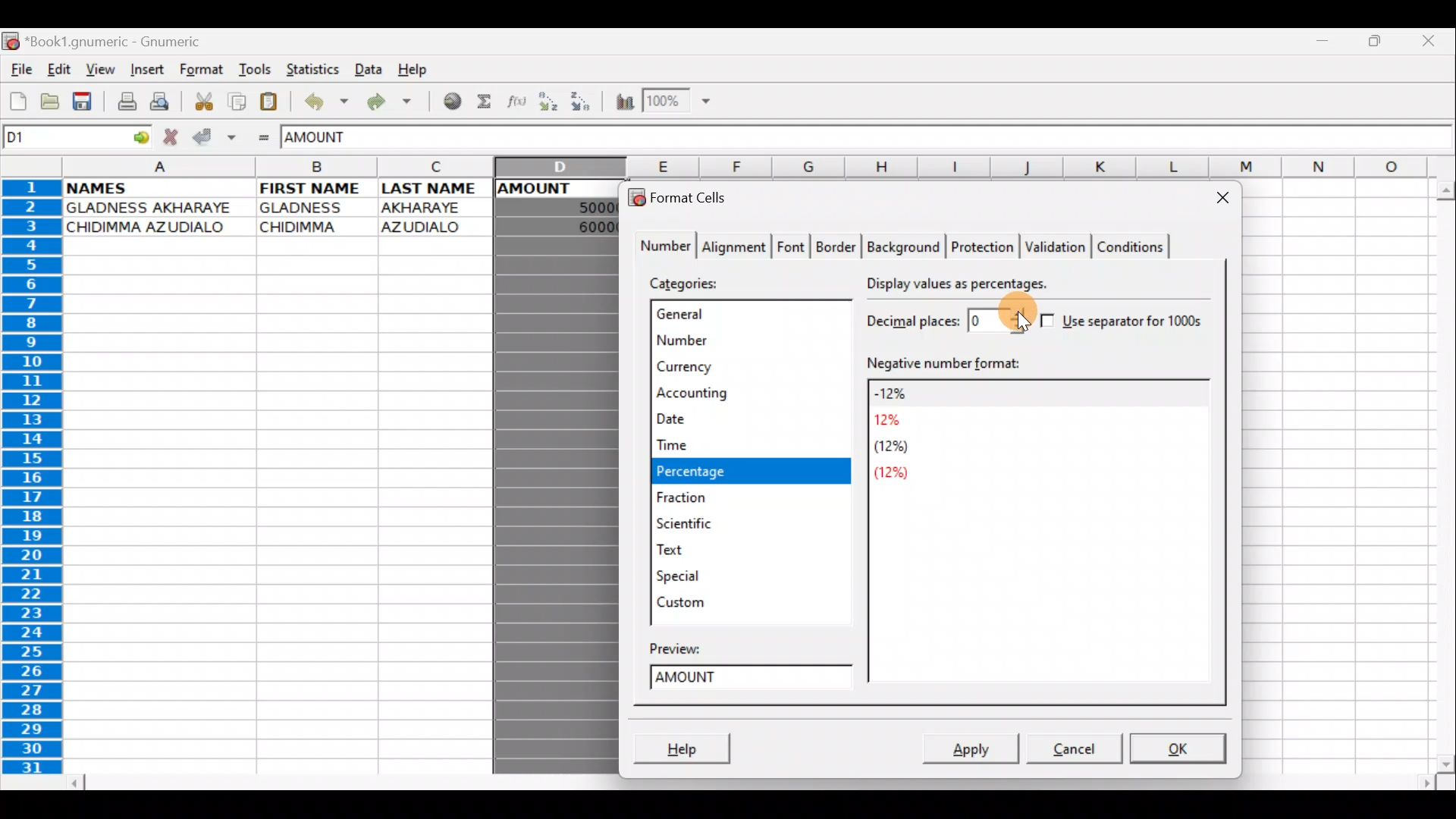 The width and height of the screenshot is (1456, 819). Describe the element at coordinates (1375, 45) in the screenshot. I see `Maximize` at that location.